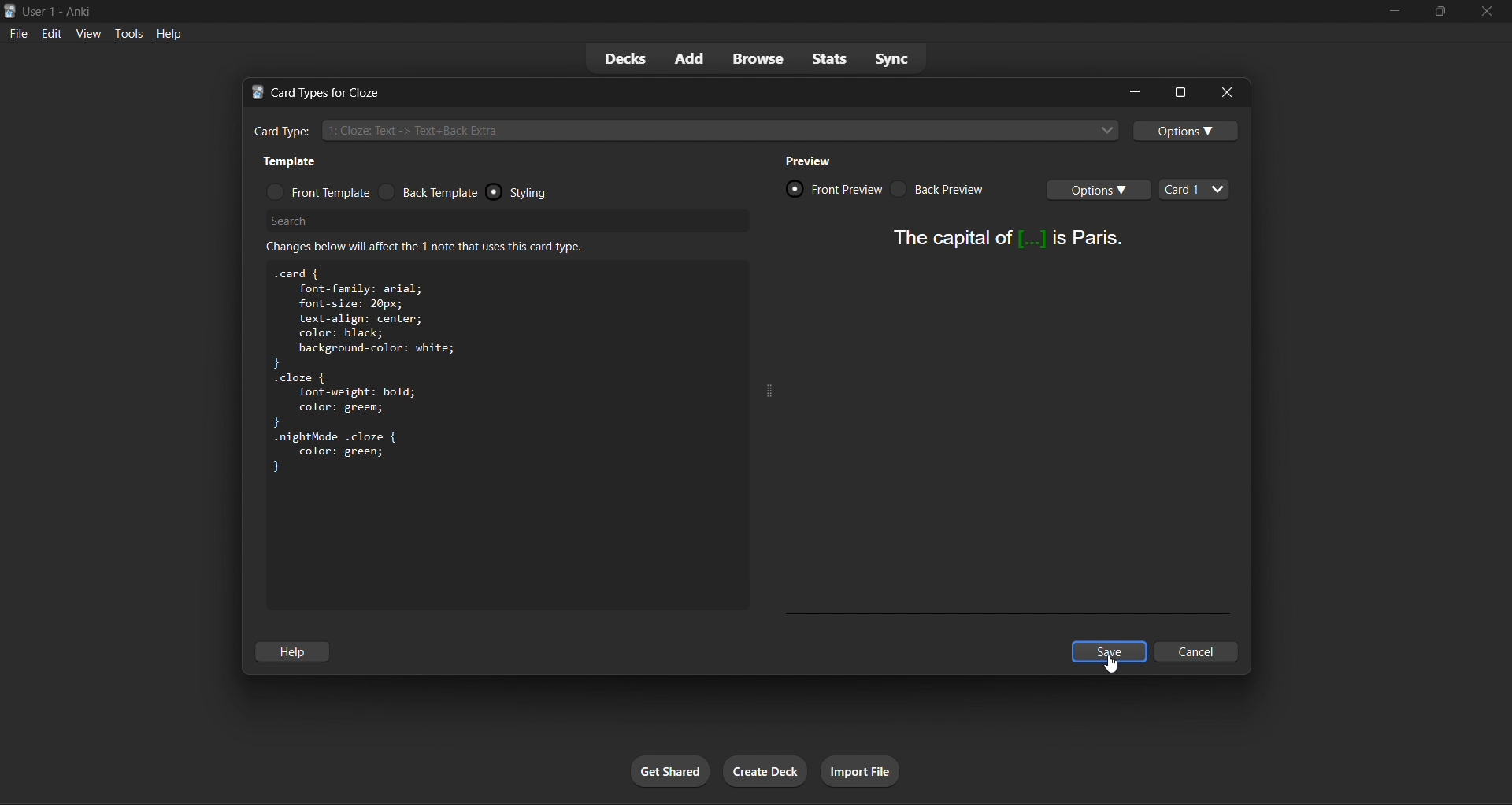 This screenshot has width=1512, height=805. What do you see at coordinates (552, 192) in the screenshot?
I see `styling radio button` at bounding box center [552, 192].